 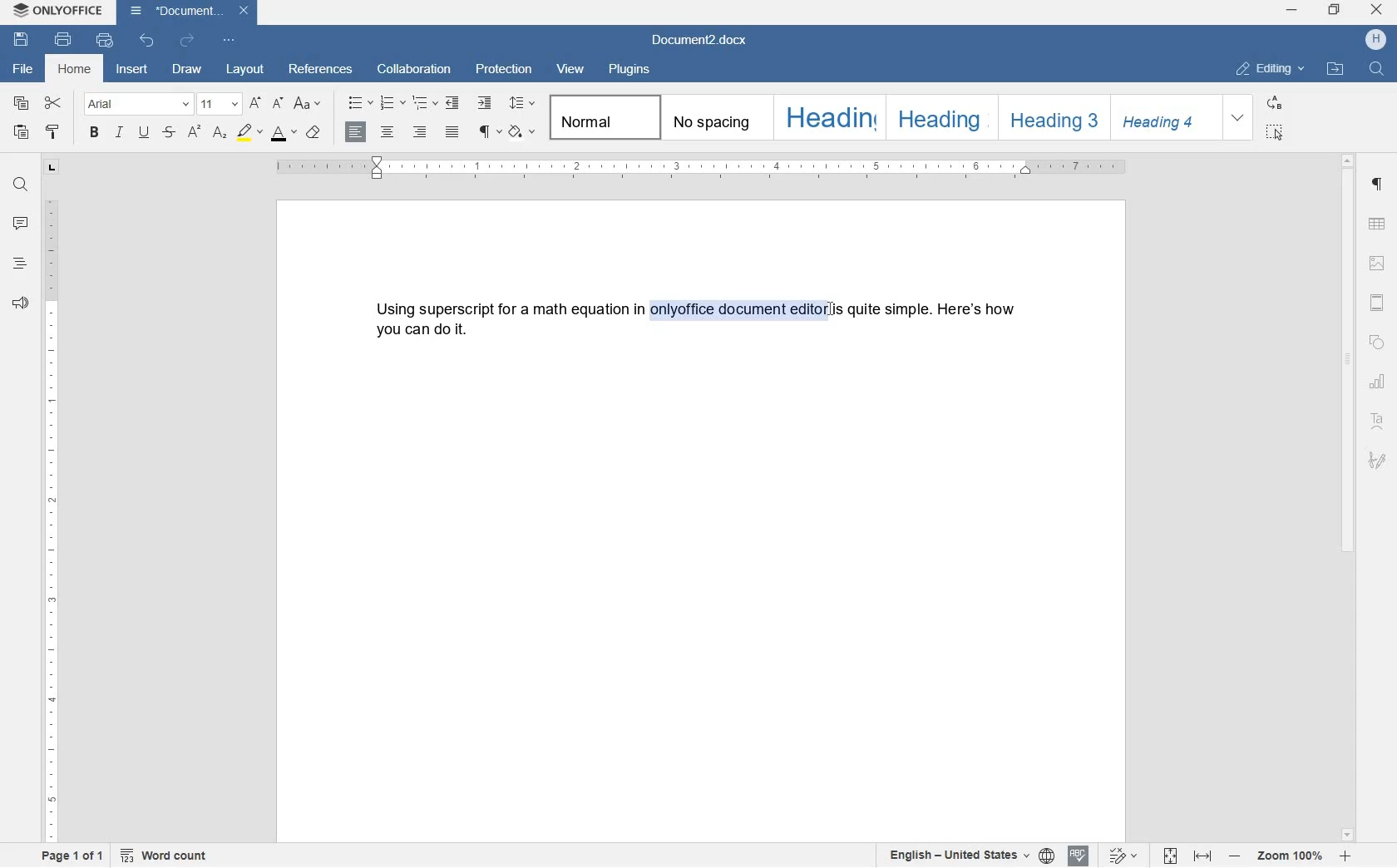 I want to click on FIND, so click(x=1375, y=69).